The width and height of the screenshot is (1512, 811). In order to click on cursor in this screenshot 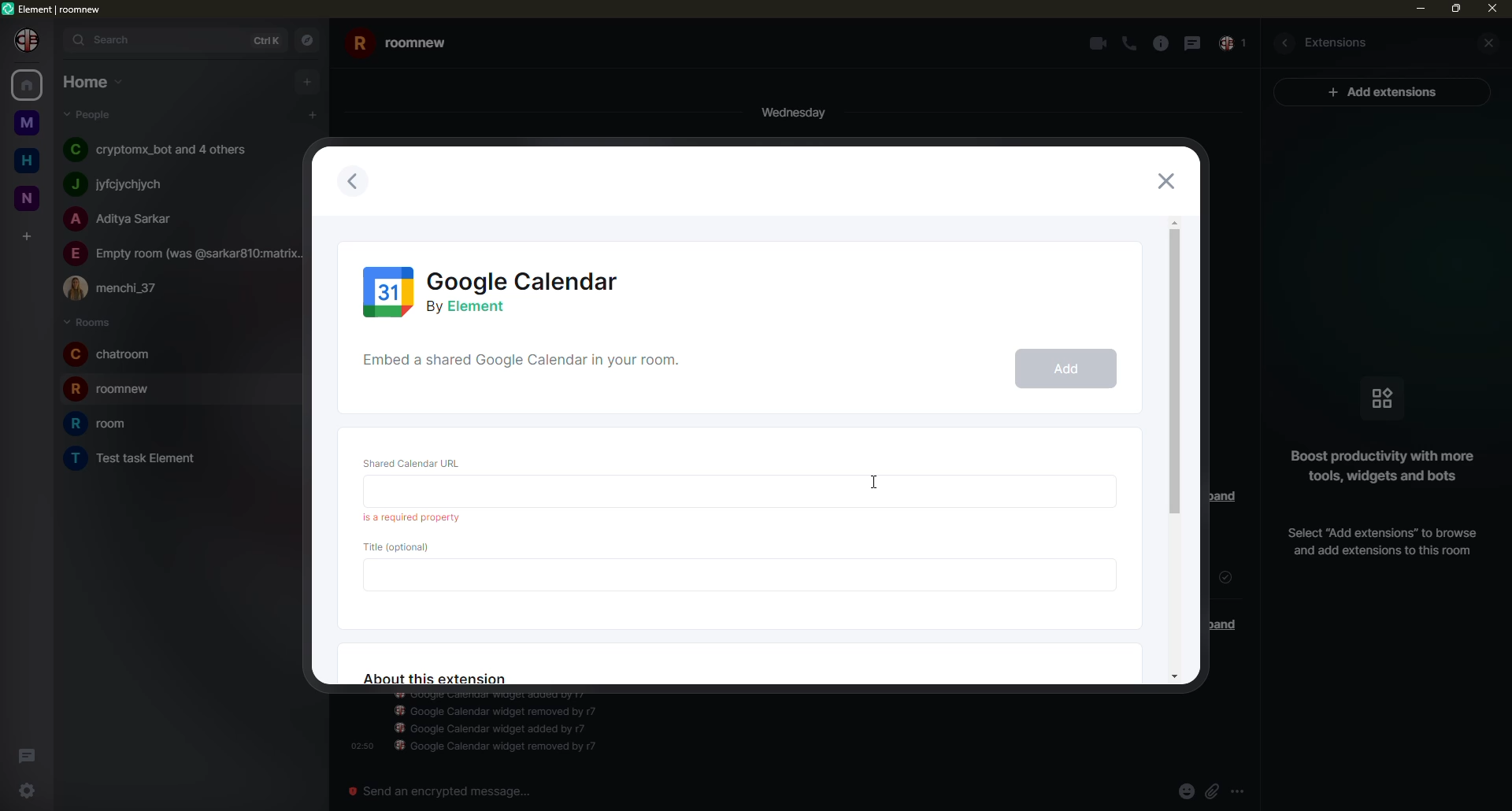, I will do `click(875, 482)`.